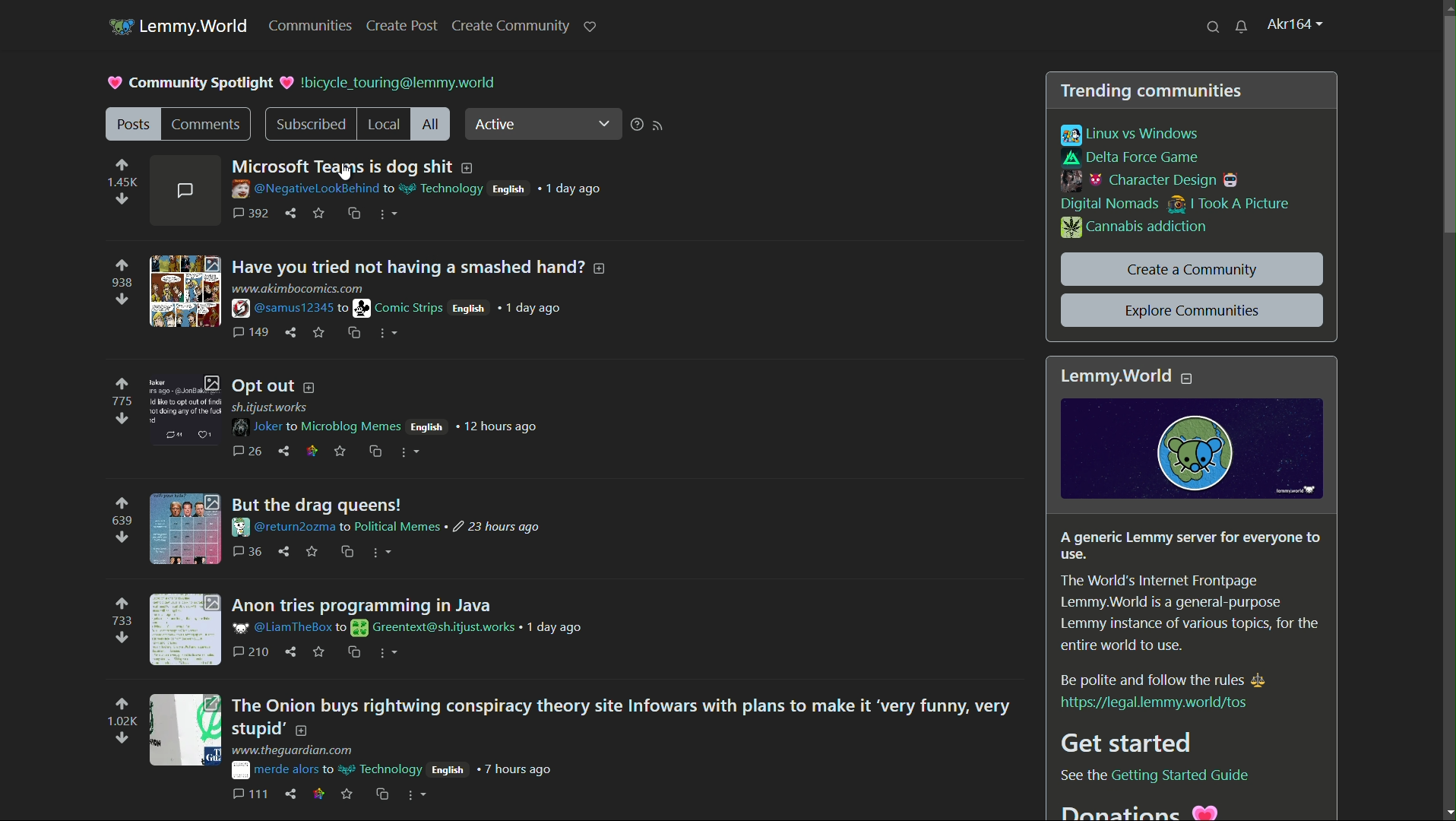  I want to click on more, so click(383, 554).